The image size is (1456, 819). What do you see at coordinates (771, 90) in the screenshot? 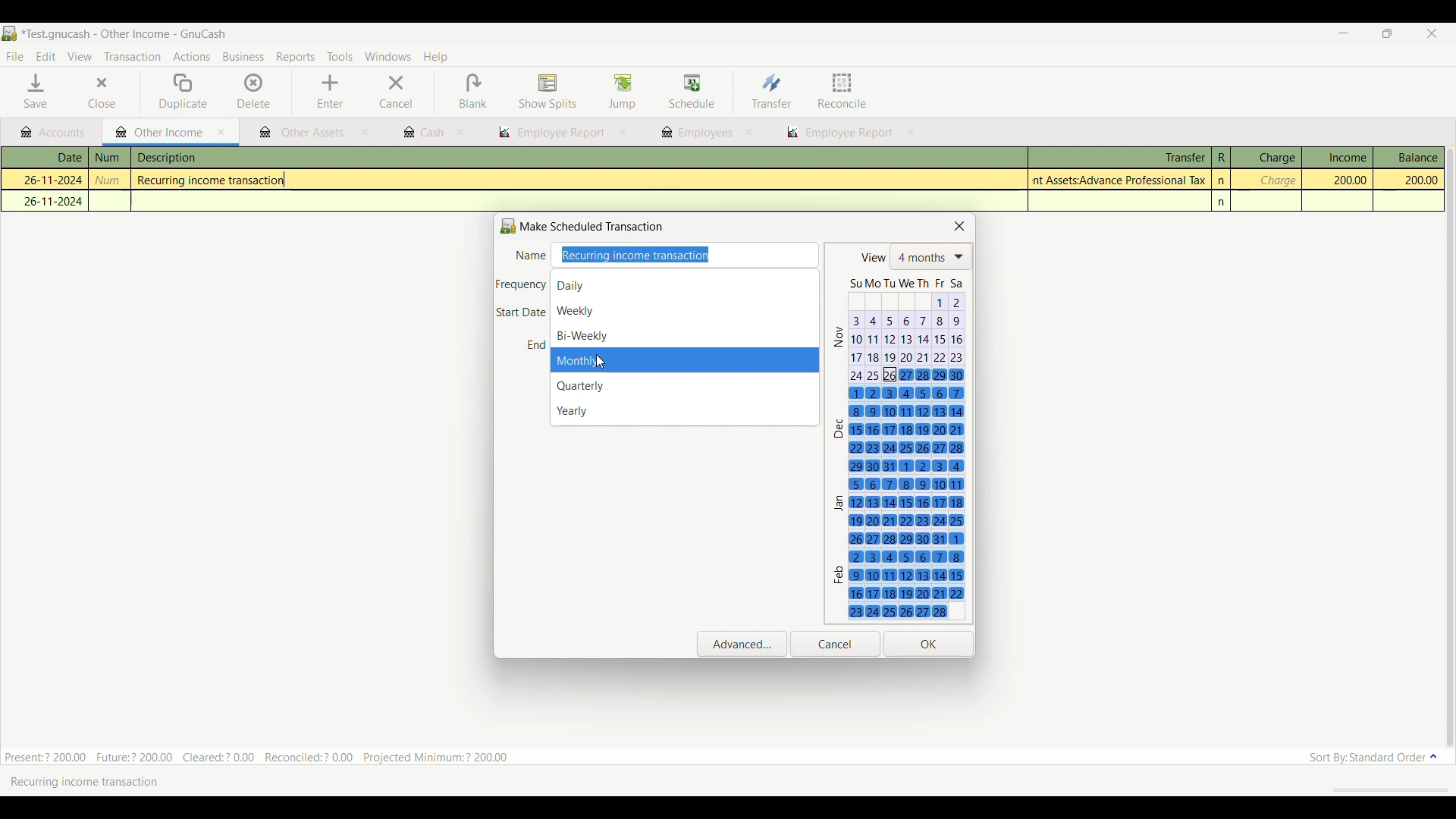
I see `Transfer` at bounding box center [771, 90].